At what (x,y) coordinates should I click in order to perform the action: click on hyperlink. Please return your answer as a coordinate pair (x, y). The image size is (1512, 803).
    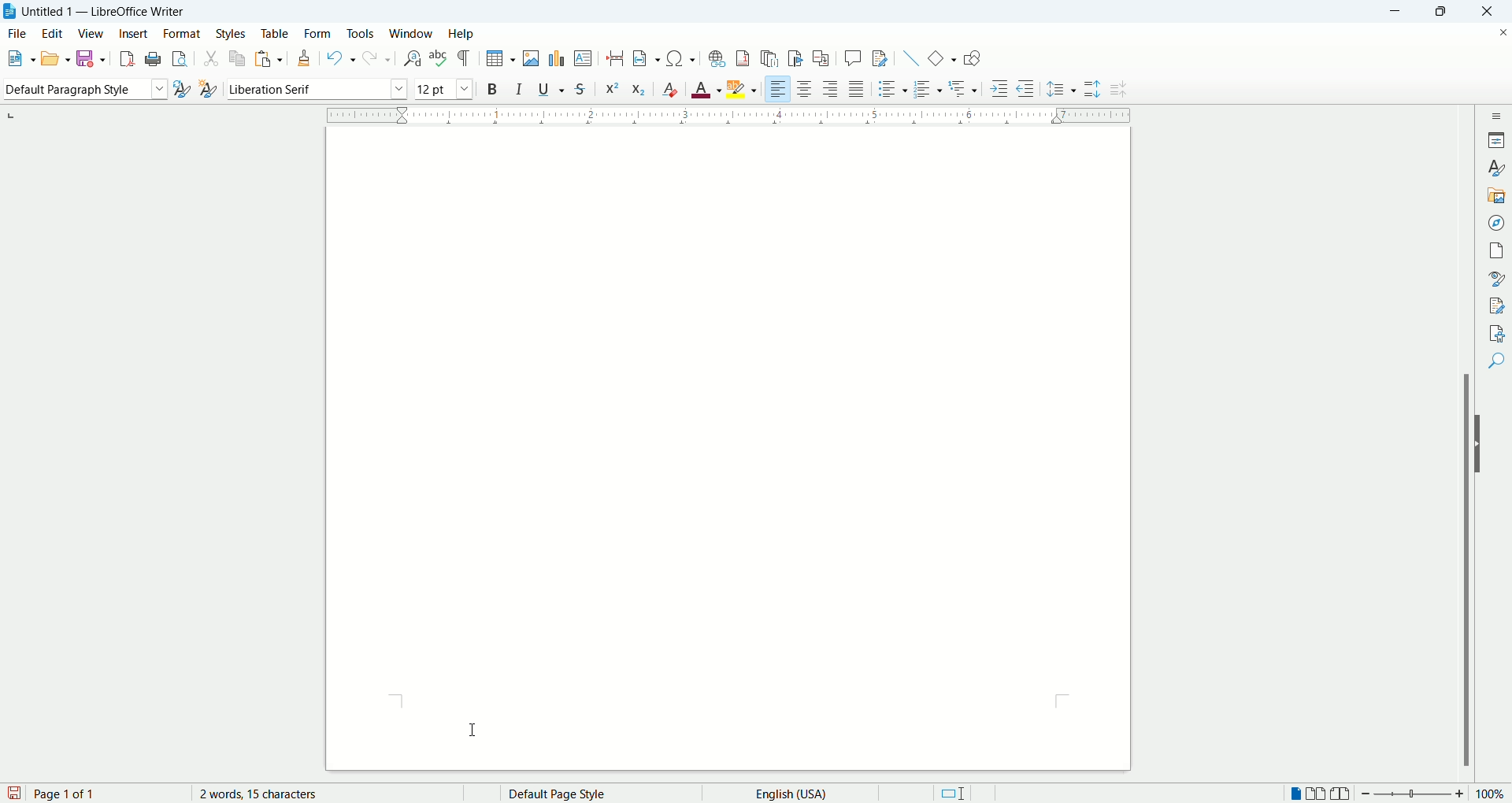
    Looking at the image, I should click on (717, 58).